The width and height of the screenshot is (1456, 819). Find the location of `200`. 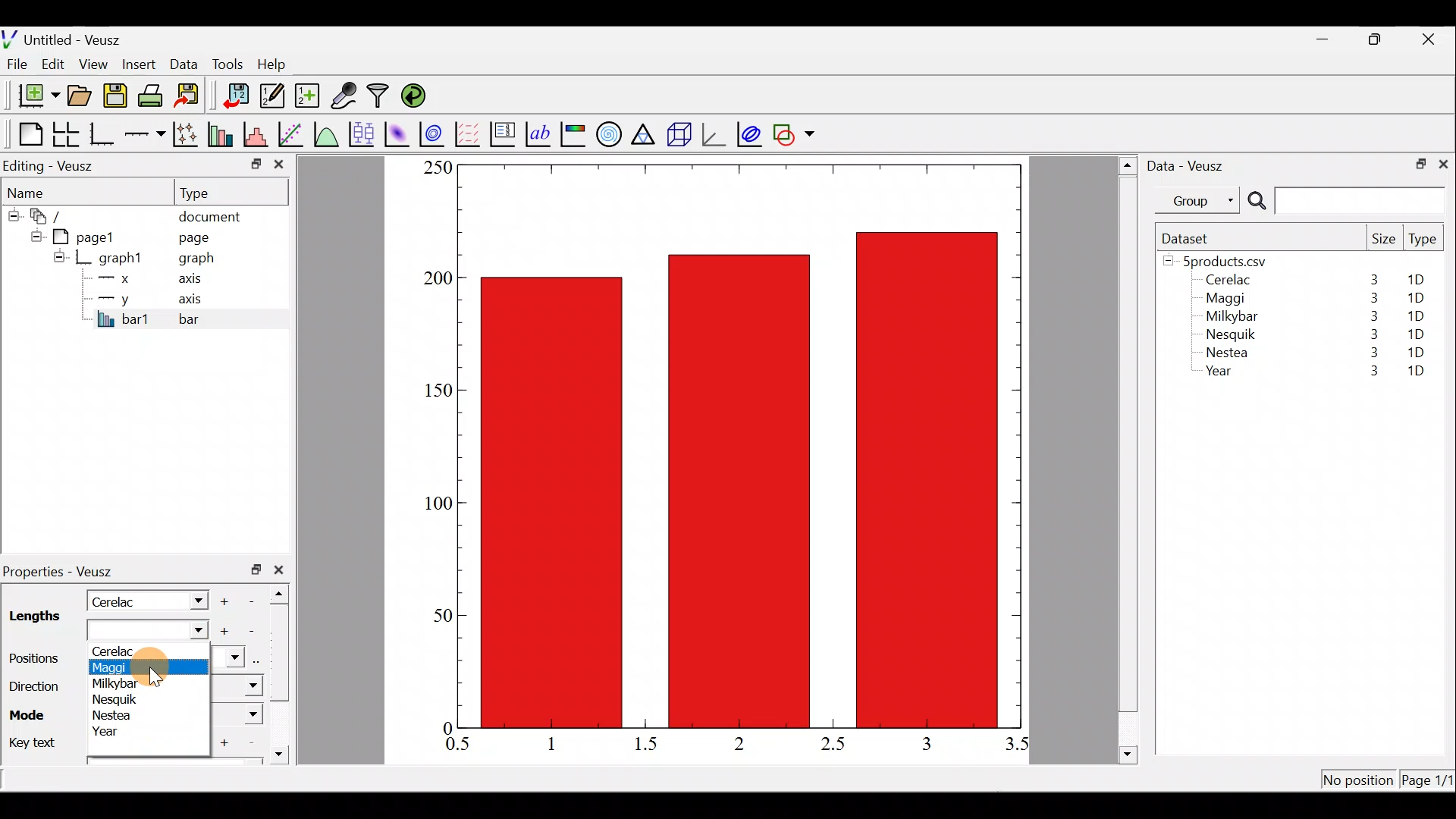

200 is located at coordinates (438, 279).